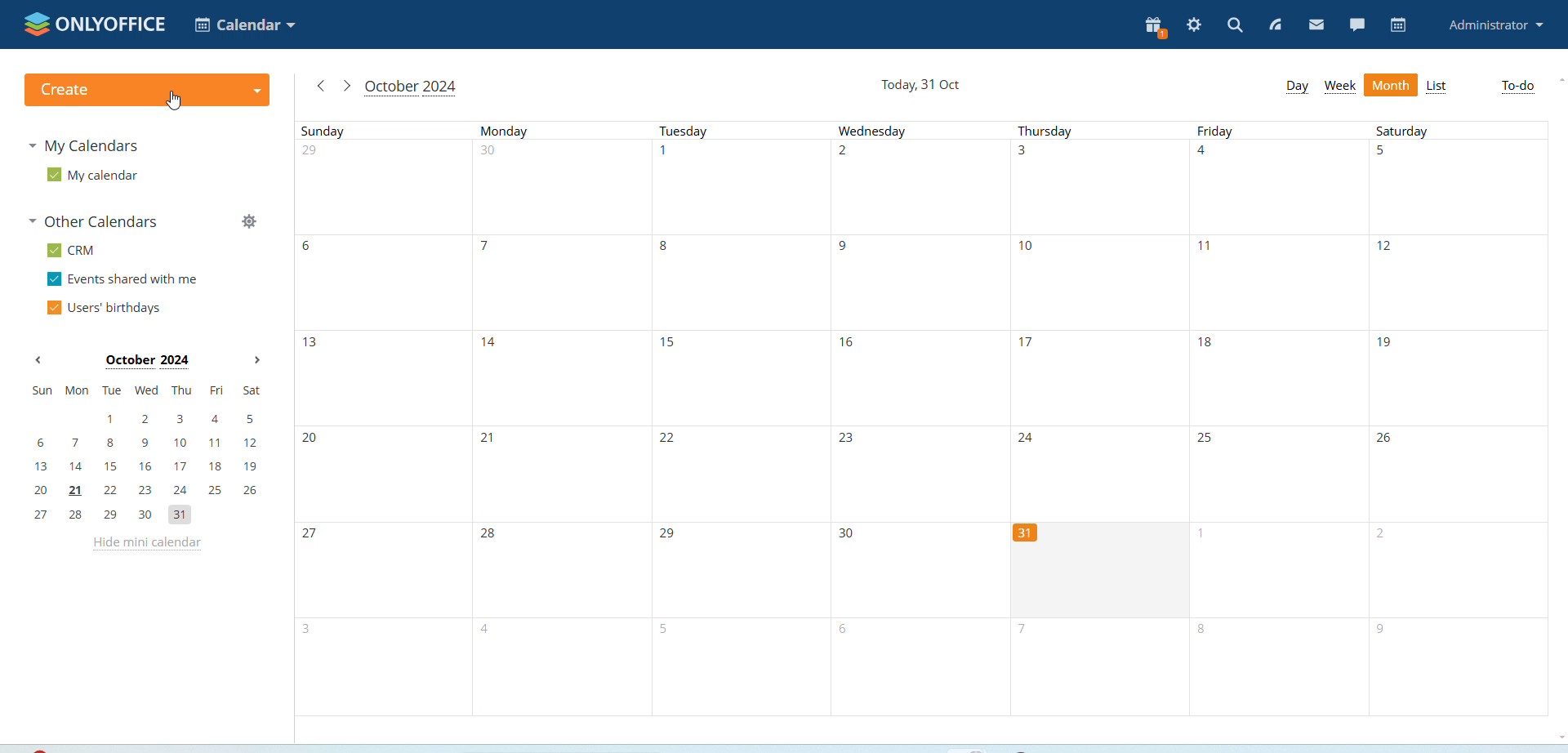 This screenshot has height=753, width=1568. I want to click on calendar, so click(1400, 25).